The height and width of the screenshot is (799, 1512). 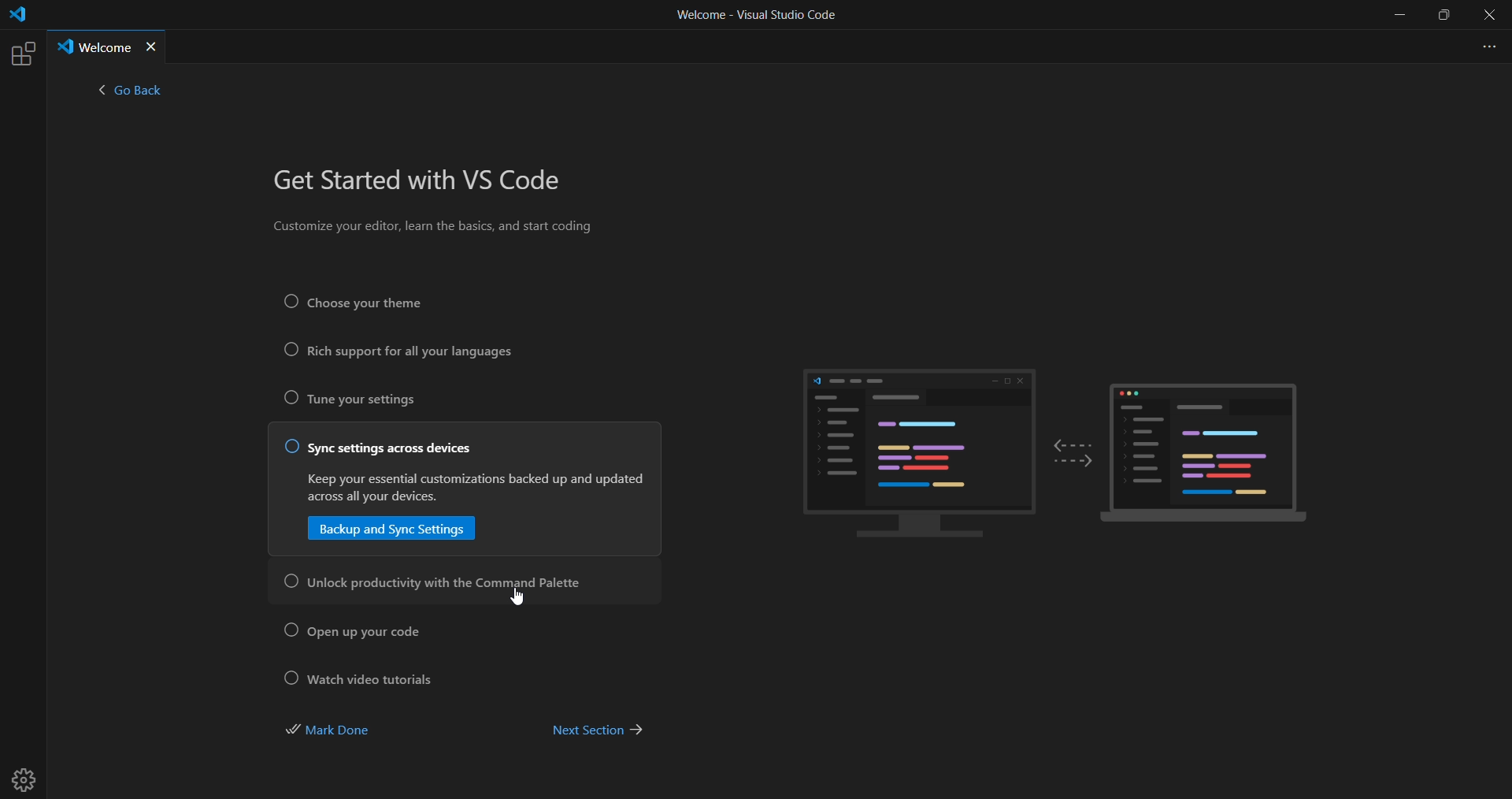 I want to click on sample display PC, so click(x=902, y=460).